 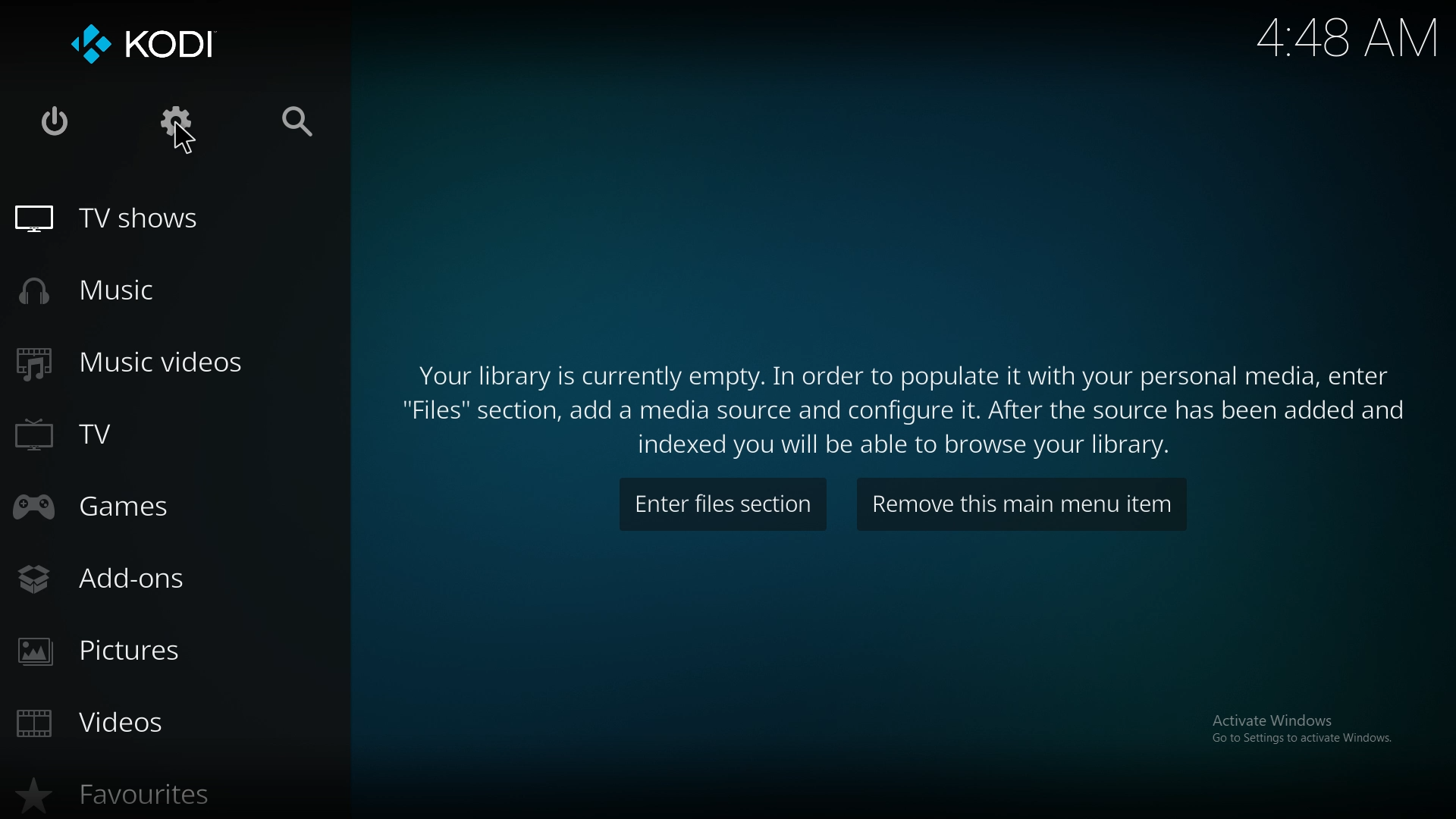 What do you see at coordinates (186, 138) in the screenshot?
I see `` at bounding box center [186, 138].